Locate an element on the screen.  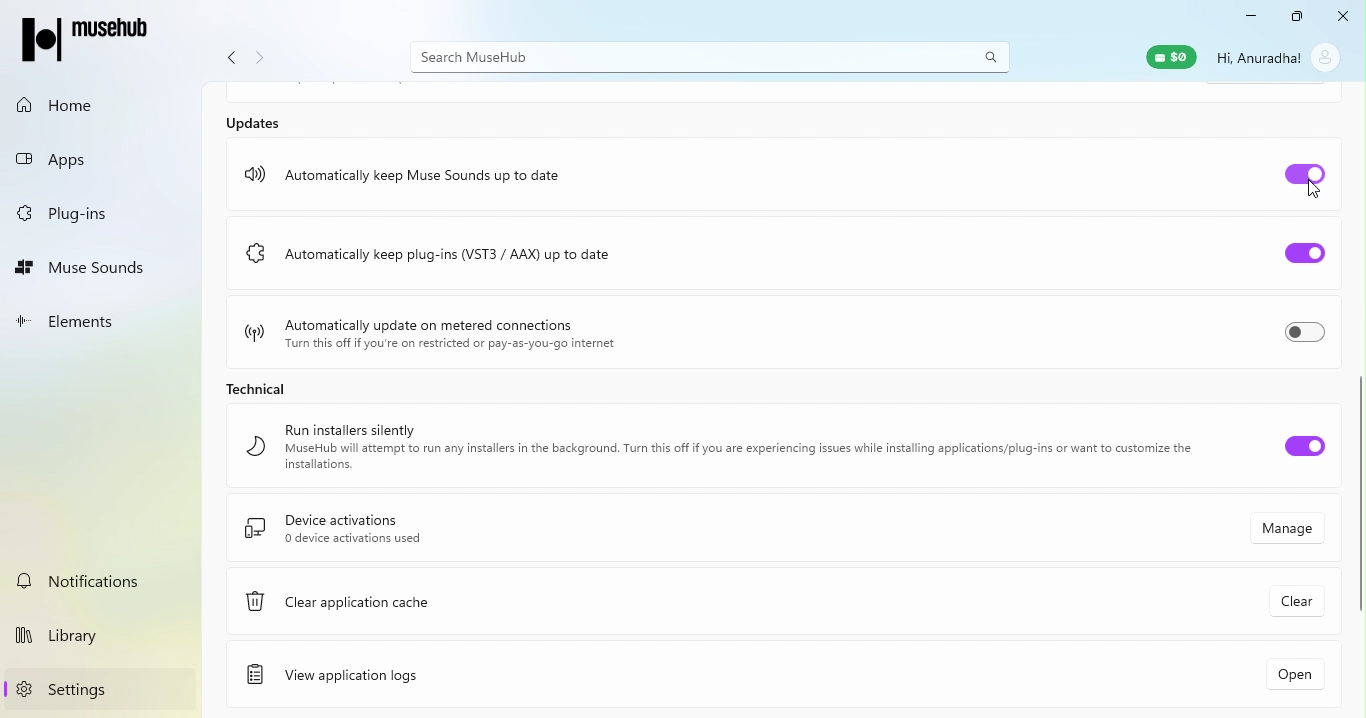
Toggle is located at coordinates (1301, 332).